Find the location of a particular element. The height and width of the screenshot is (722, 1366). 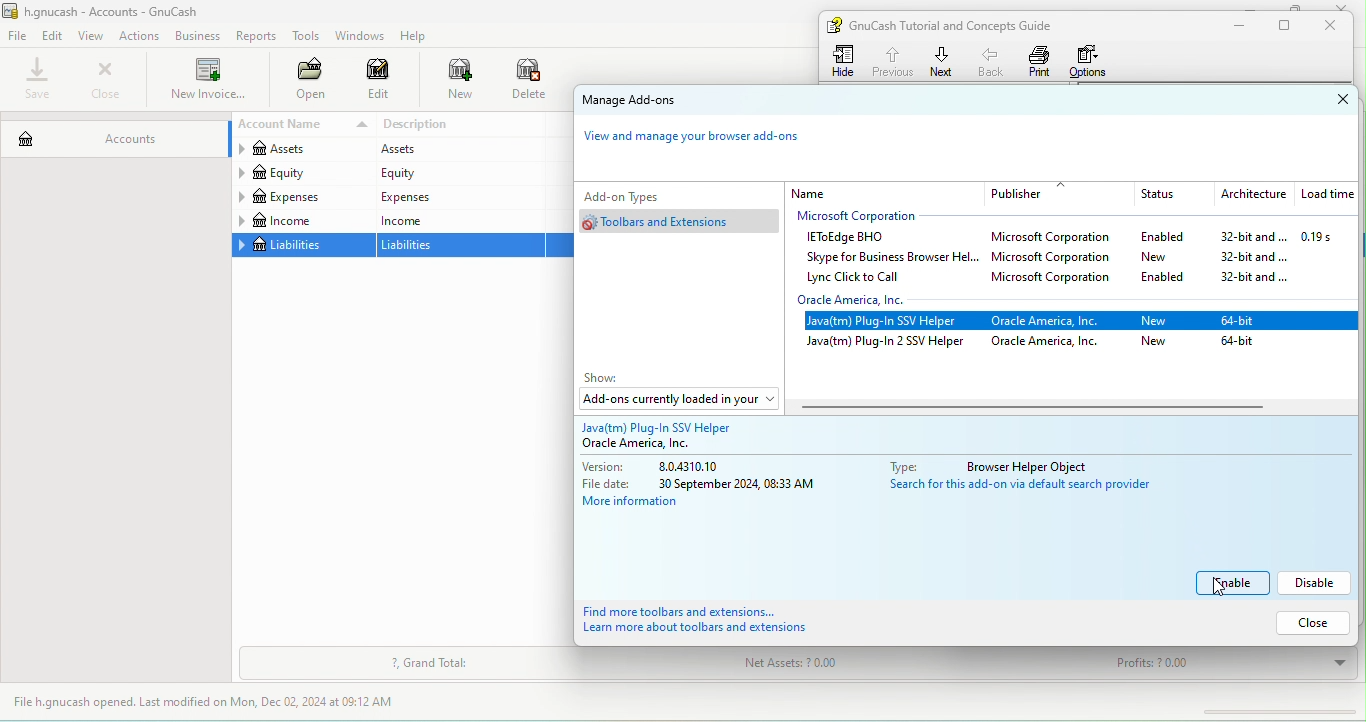

name is located at coordinates (884, 193).